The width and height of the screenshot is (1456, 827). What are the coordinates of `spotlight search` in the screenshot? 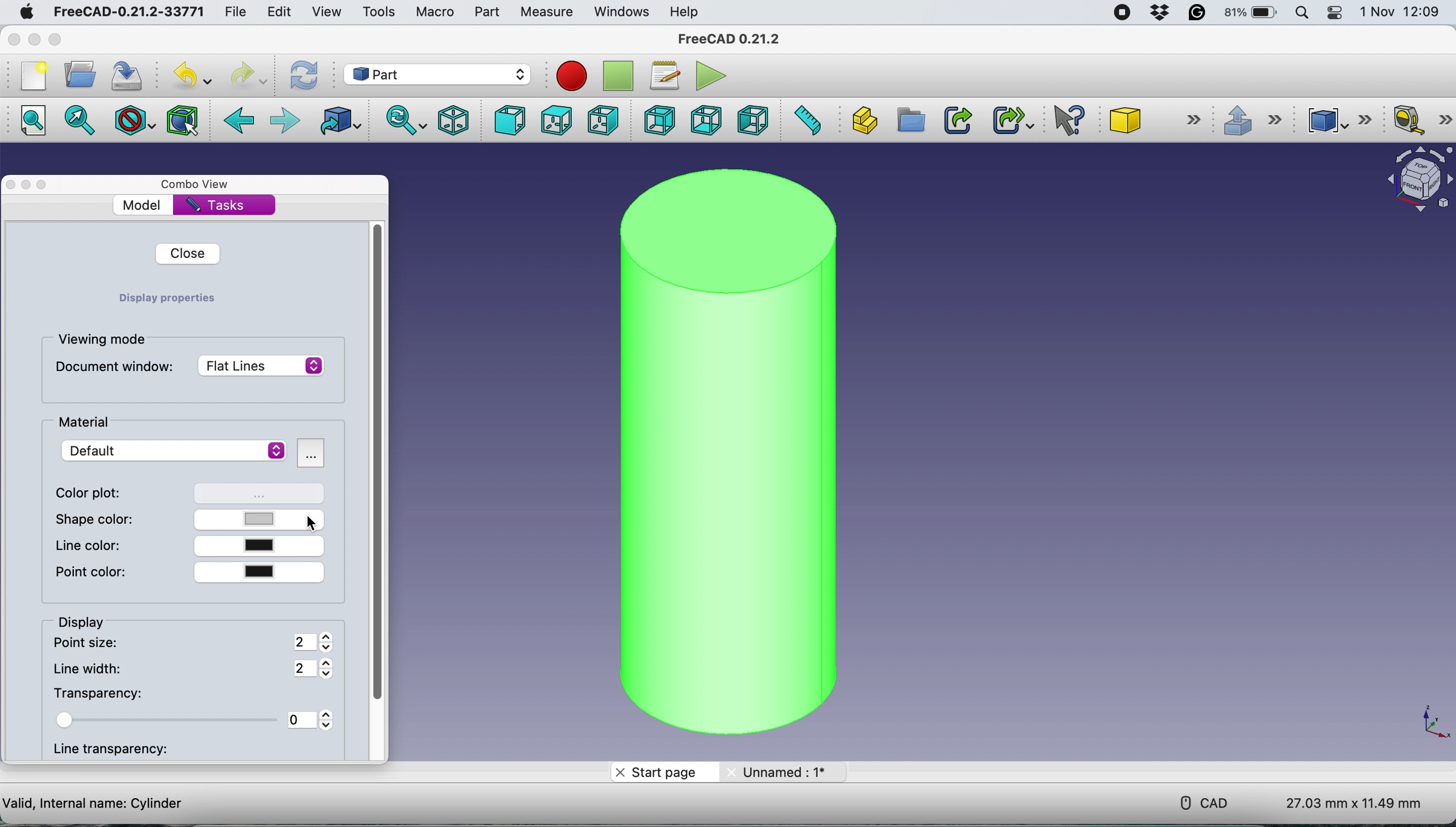 It's located at (1304, 13).